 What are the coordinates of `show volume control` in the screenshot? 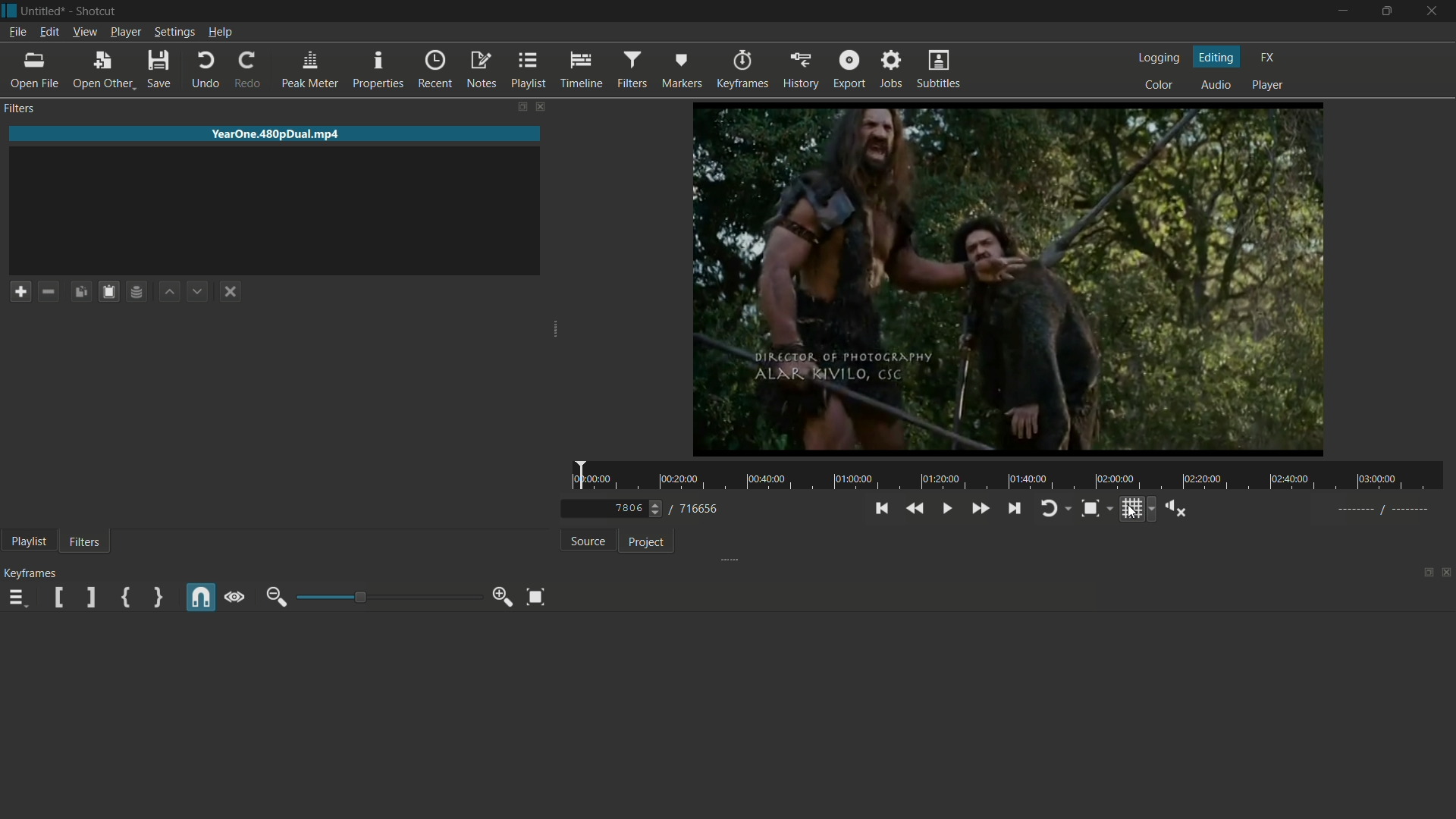 It's located at (1175, 508).